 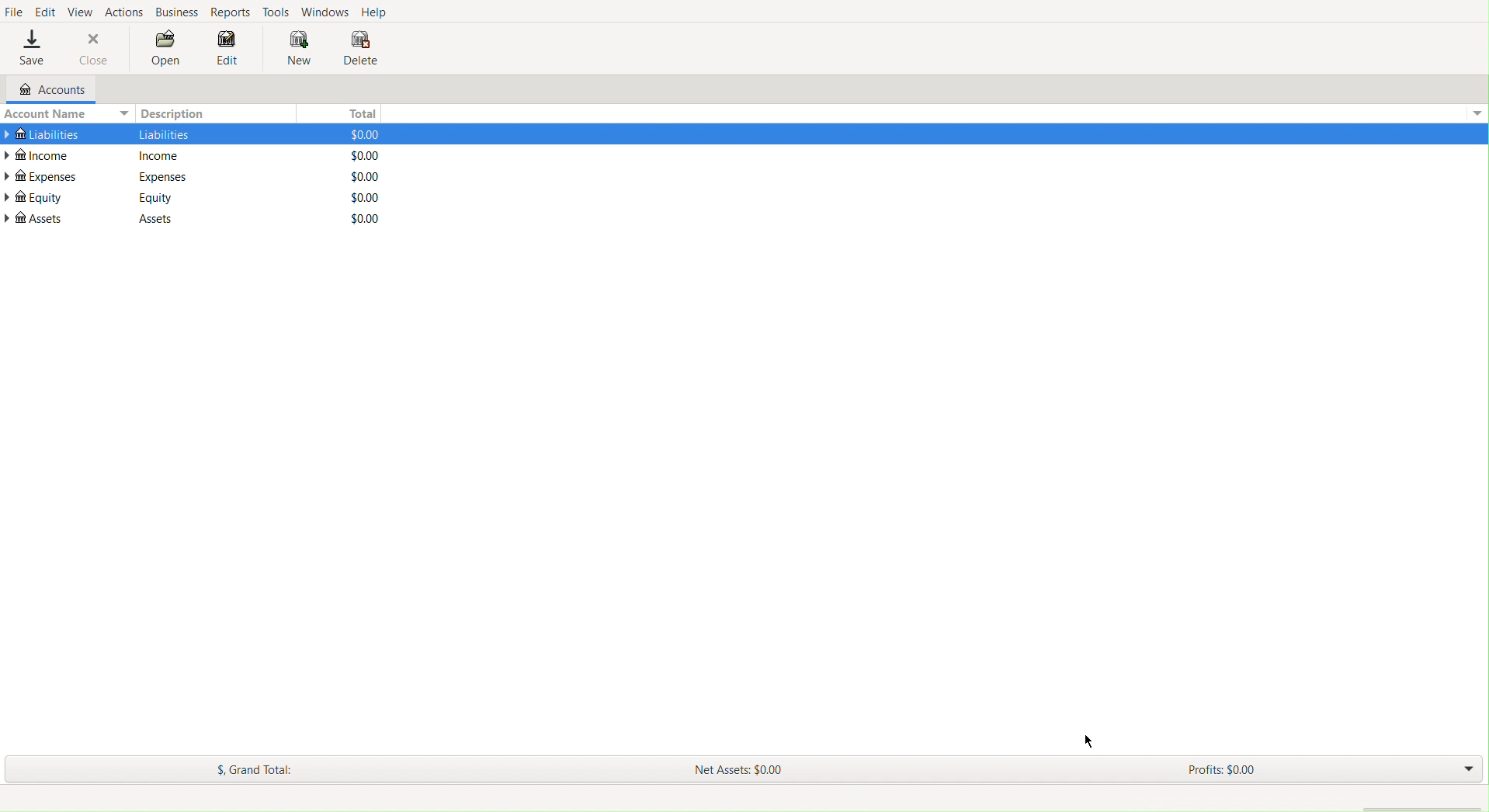 What do you see at coordinates (65, 113) in the screenshot?
I see `Account Name` at bounding box center [65, 113].